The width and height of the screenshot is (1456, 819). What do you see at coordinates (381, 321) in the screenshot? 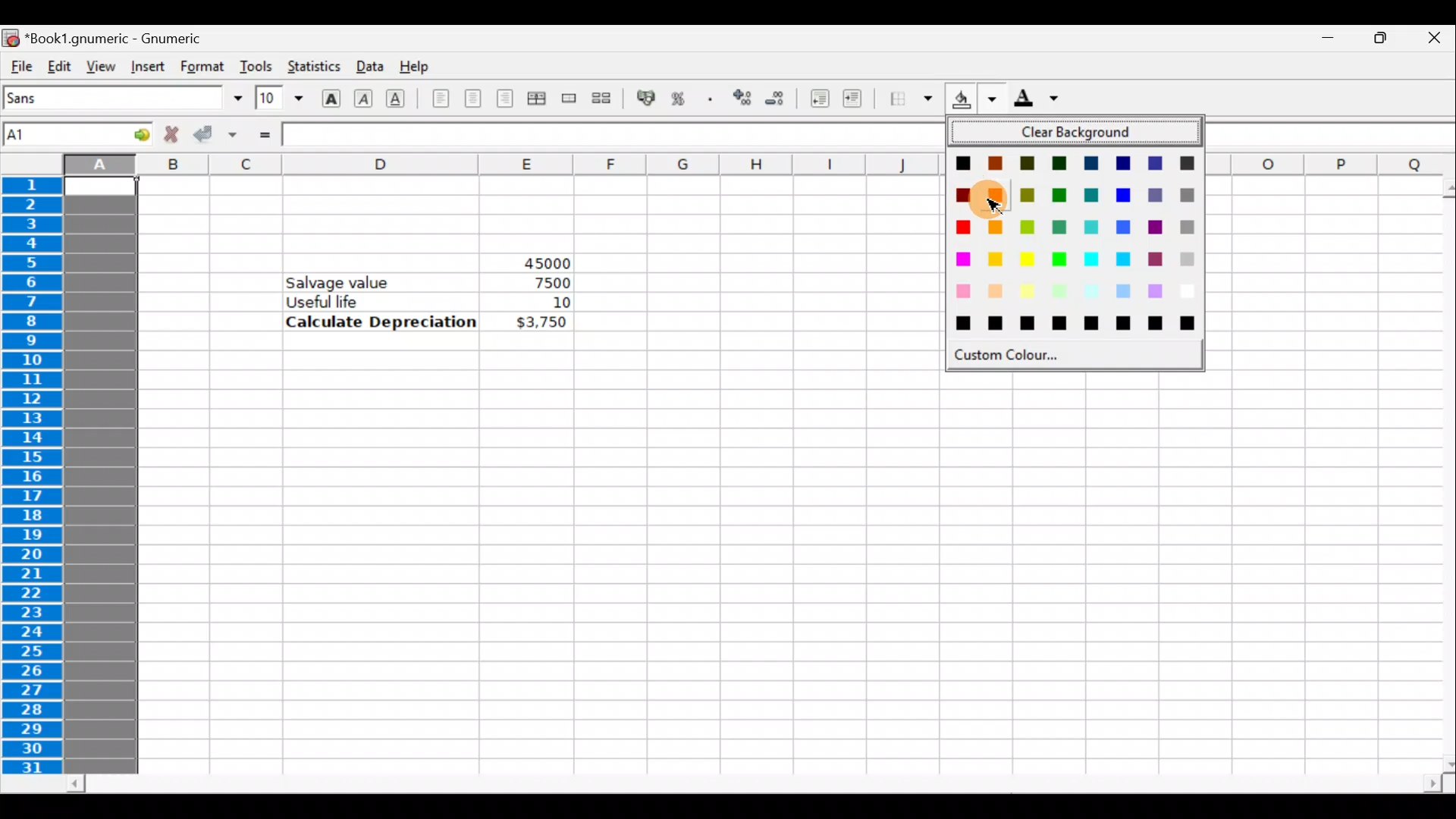
I see `Calculate Depreciation` at bounding box center [381, 321].